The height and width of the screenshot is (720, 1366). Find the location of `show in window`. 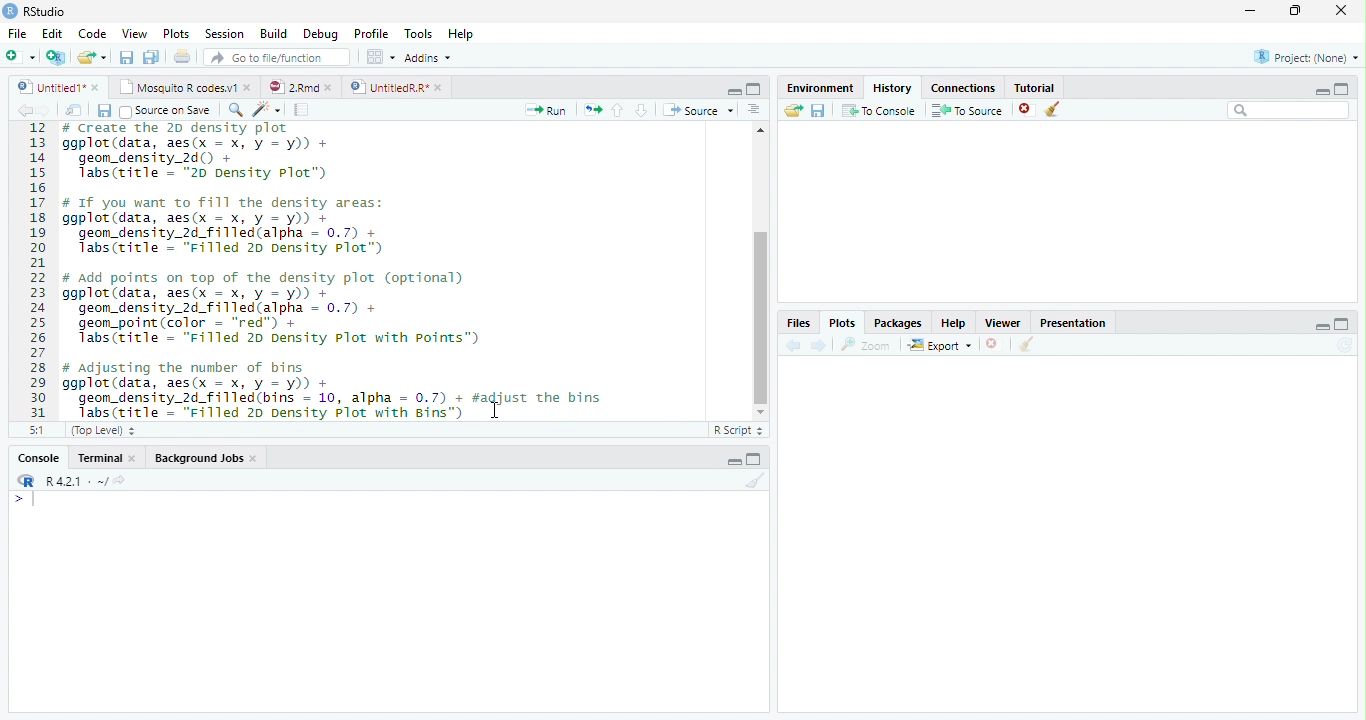

show in window is located at coordinates (75, 111).